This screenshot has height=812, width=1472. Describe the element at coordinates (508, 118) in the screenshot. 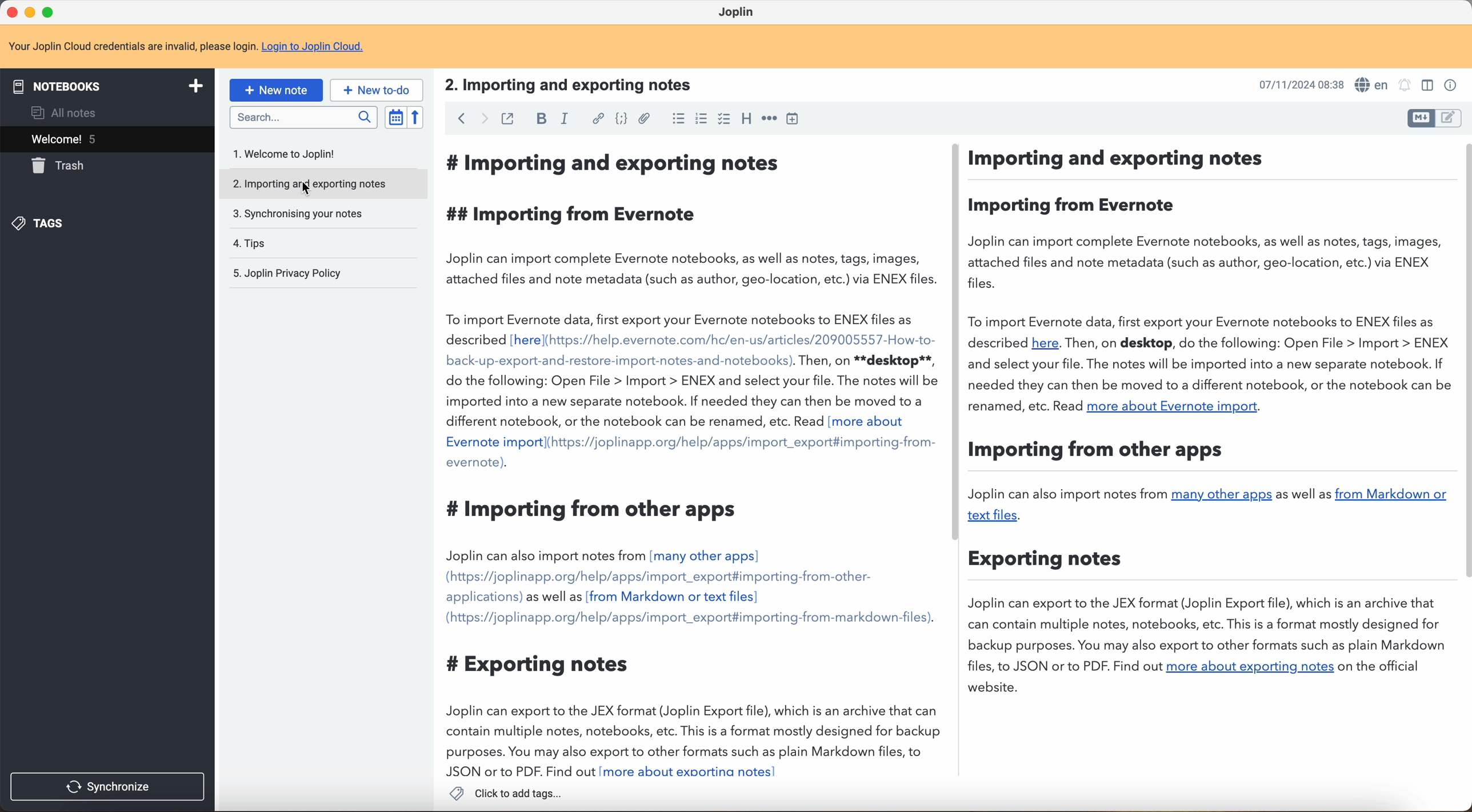

I see `toggle external editing` at that location.